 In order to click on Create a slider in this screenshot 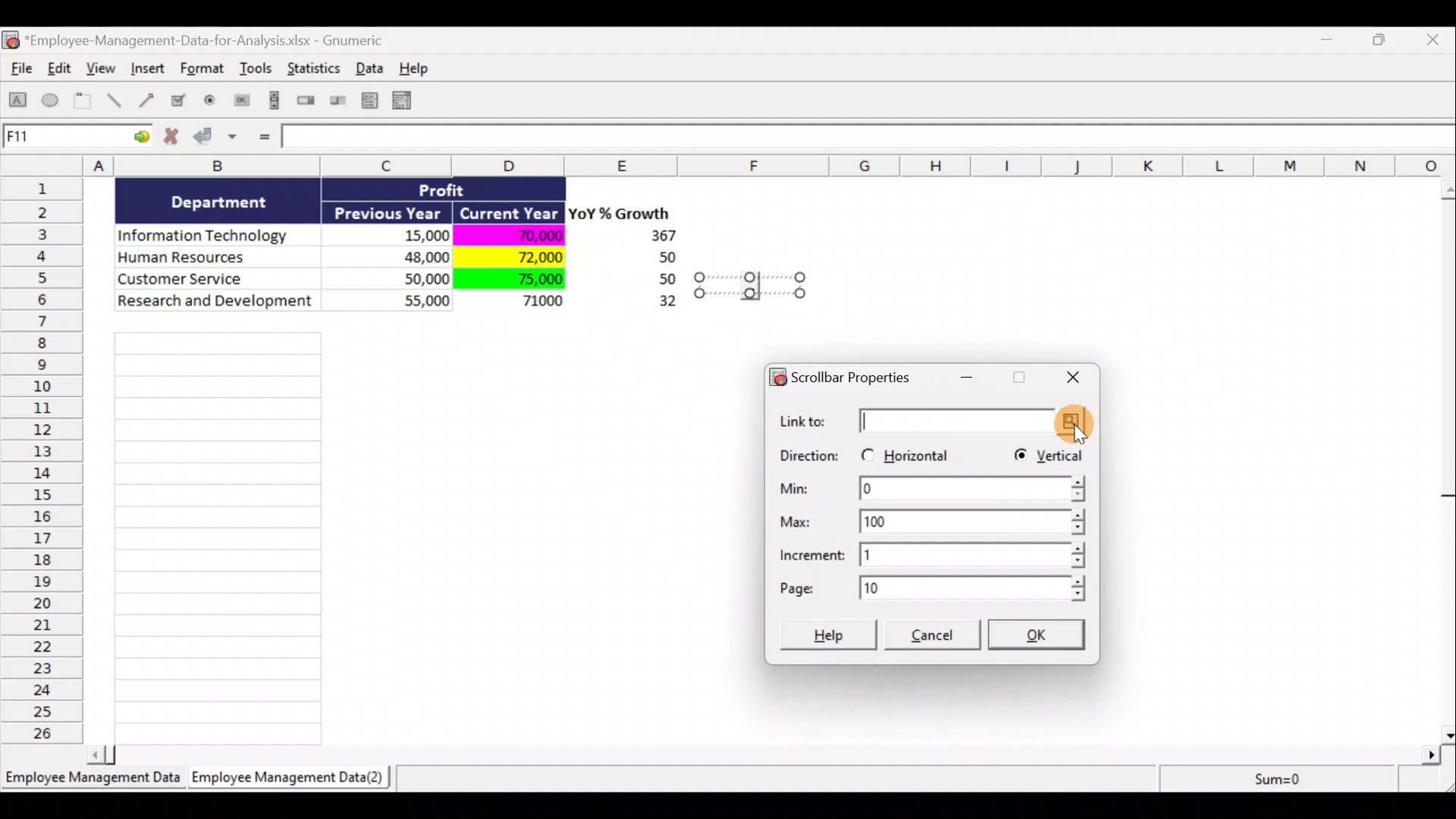, I will do `click(336, 103)`.